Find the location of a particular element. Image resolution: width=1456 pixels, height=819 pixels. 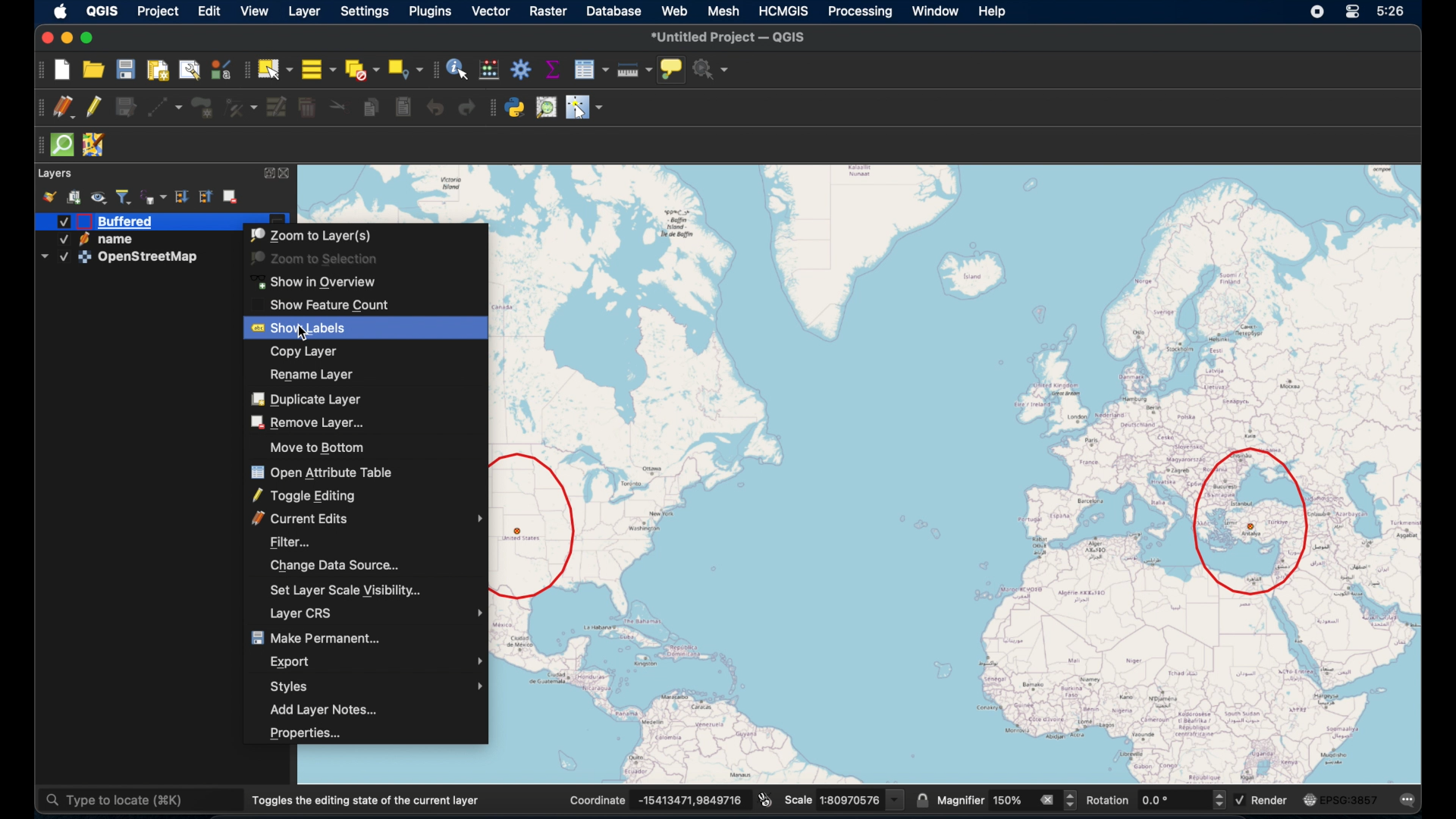

maximize is located at coordinates (89, 39).